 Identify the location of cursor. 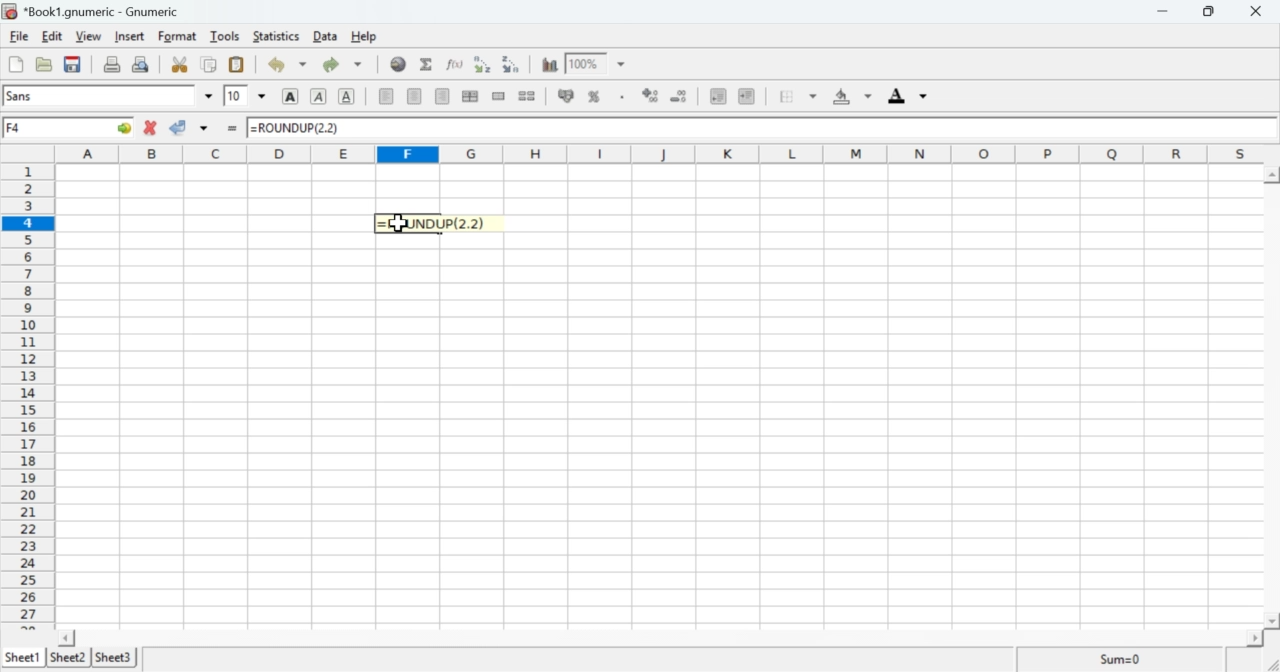
(399, 225).